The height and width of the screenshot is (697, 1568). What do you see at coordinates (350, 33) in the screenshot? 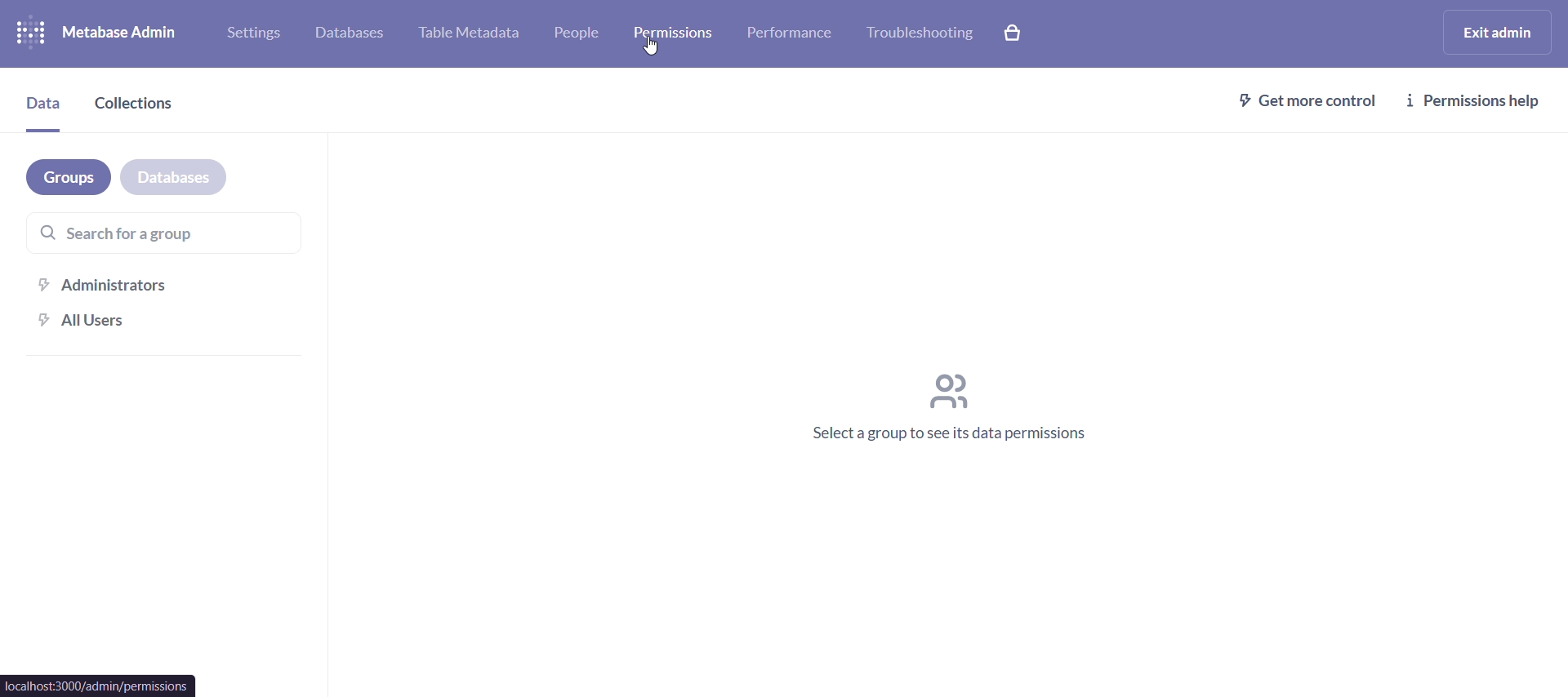
I see `database` at bounding box center [350, 33].